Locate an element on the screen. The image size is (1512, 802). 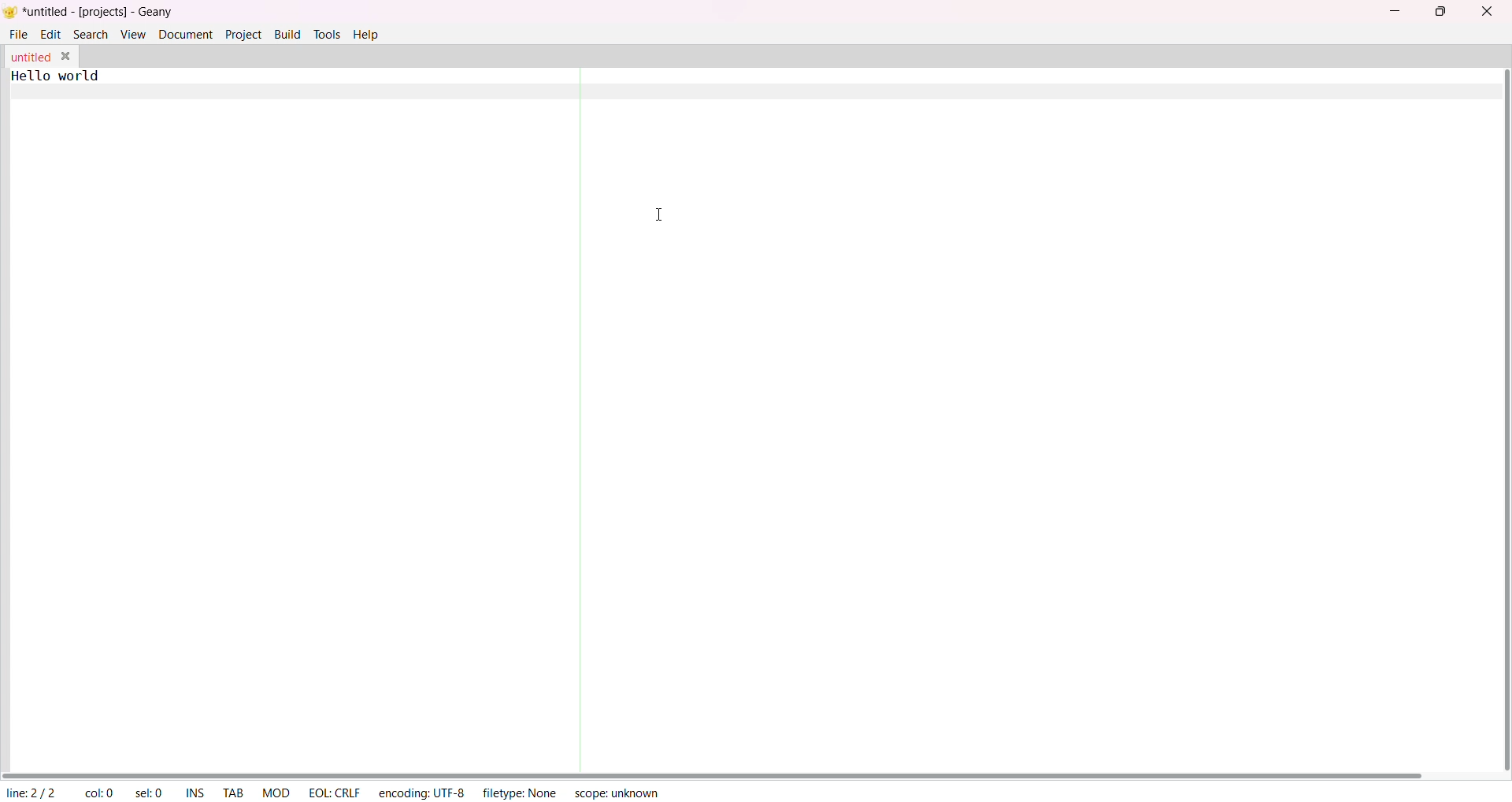
col: 0 is located at coordinates (98, 793).